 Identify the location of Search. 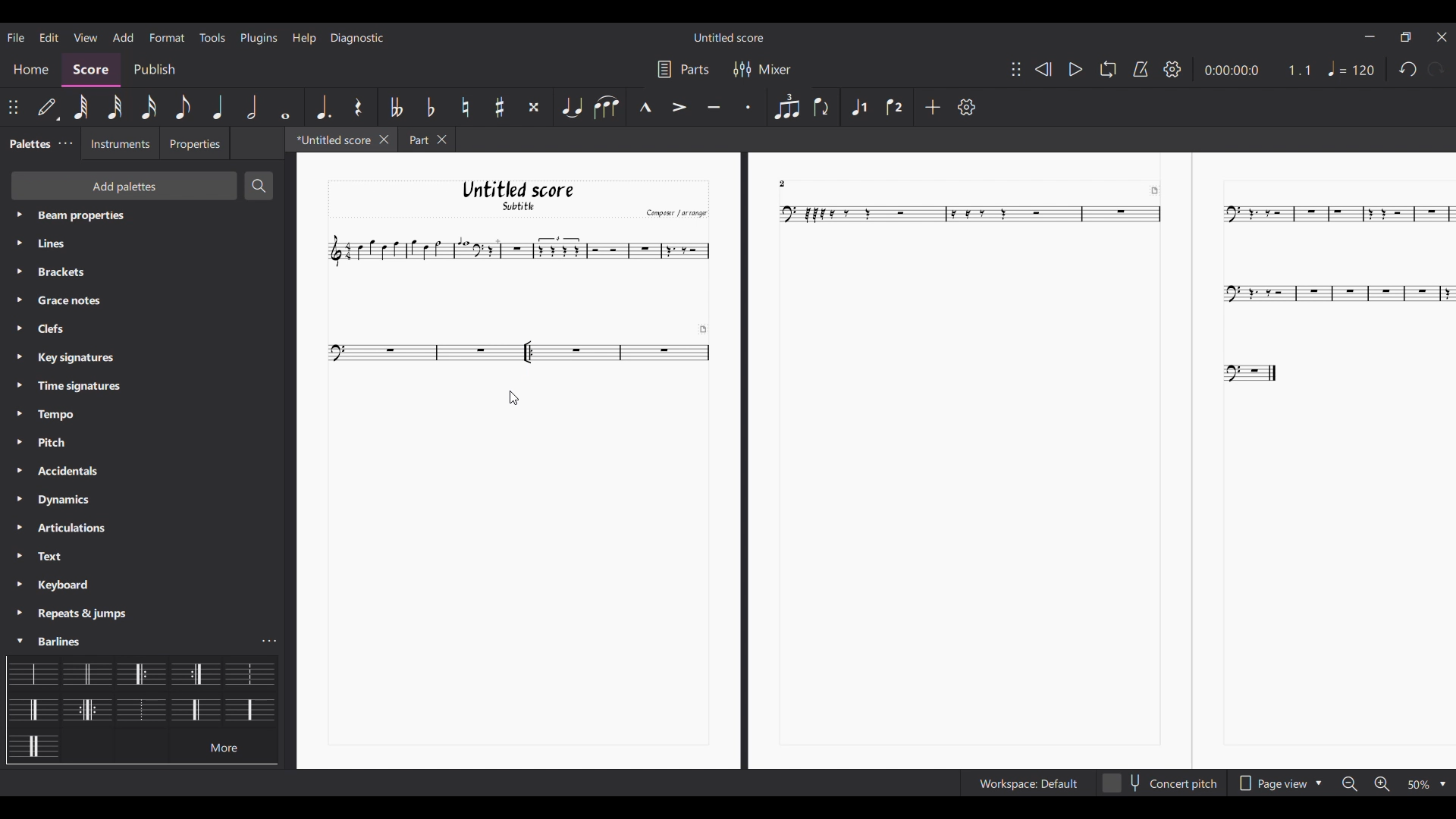
(259, 185).